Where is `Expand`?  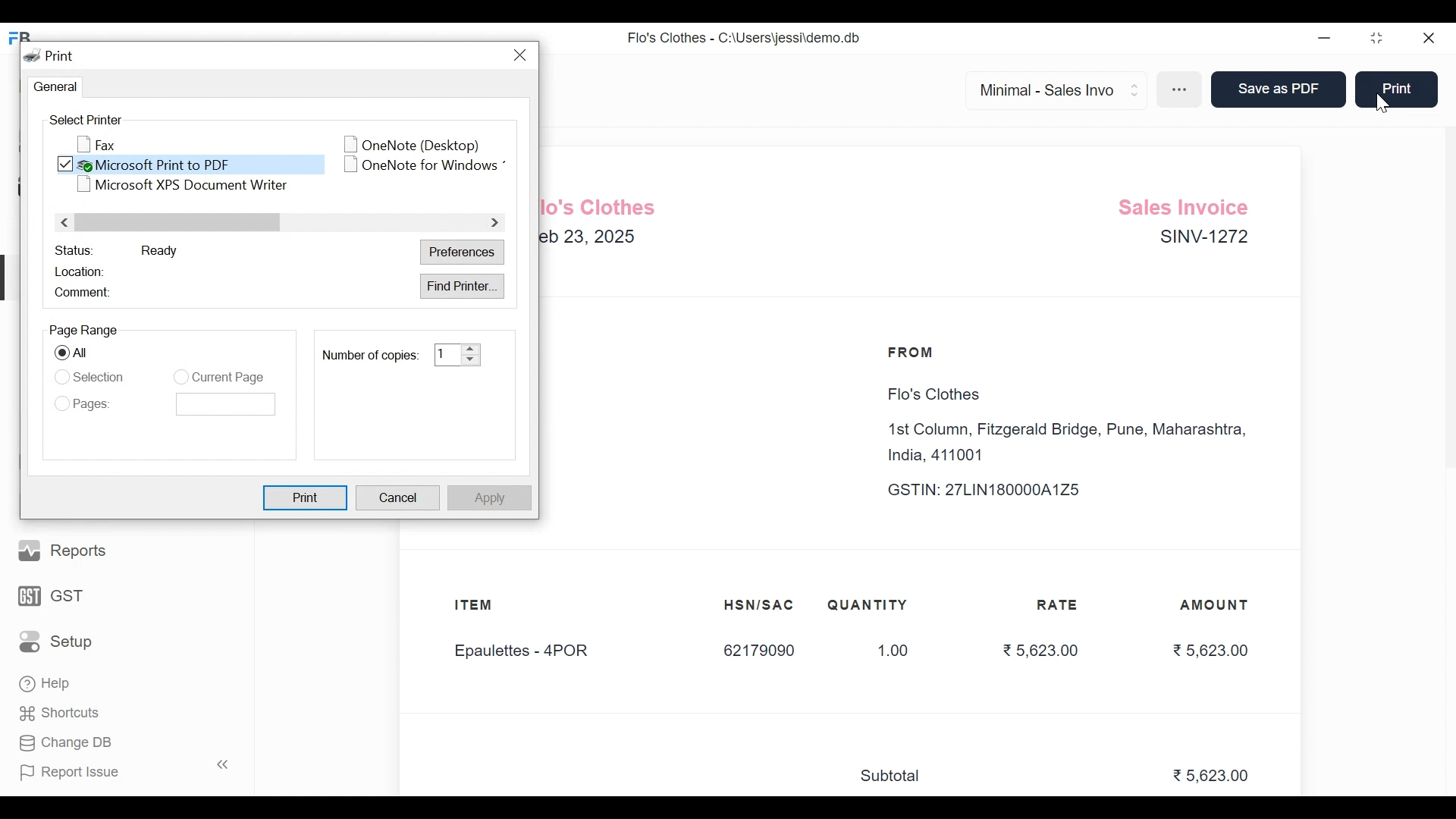 Expand is located at coordinates (1136, 88).